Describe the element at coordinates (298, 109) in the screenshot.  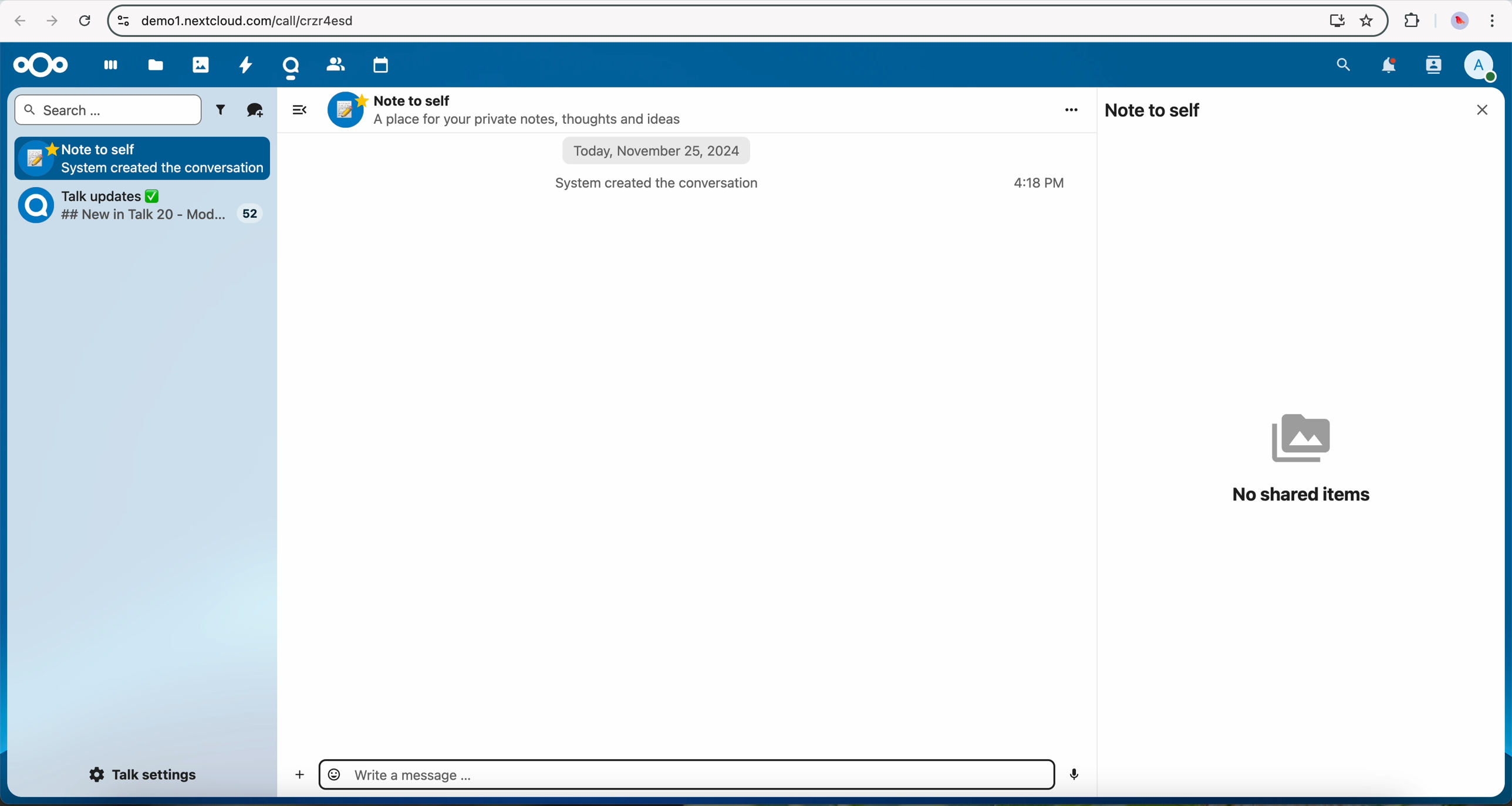
I see `hide side bar` at that location.